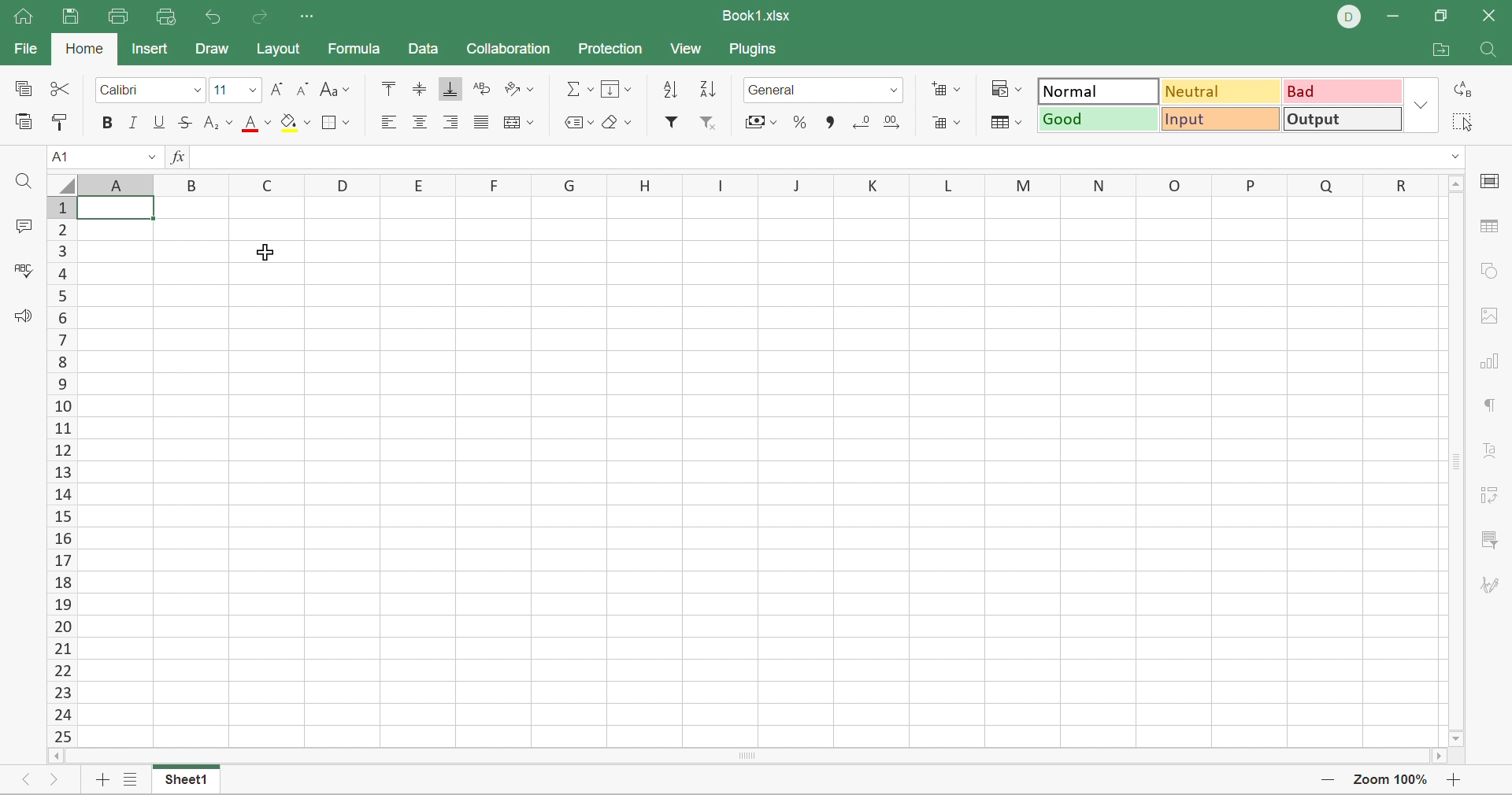  Describe the element at coordinates (304, 90) in the screenshot. I see `Decrement font size` at that location.